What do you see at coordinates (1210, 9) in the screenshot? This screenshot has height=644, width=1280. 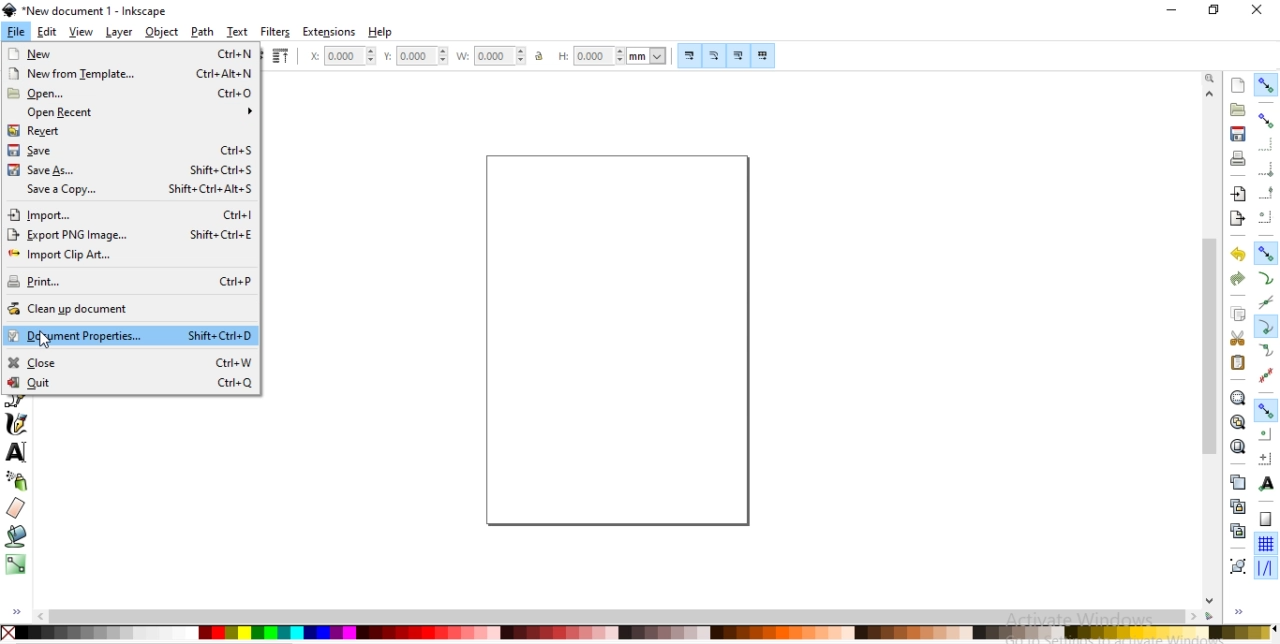 I see `restore down` at bounding box center [1210, 9].